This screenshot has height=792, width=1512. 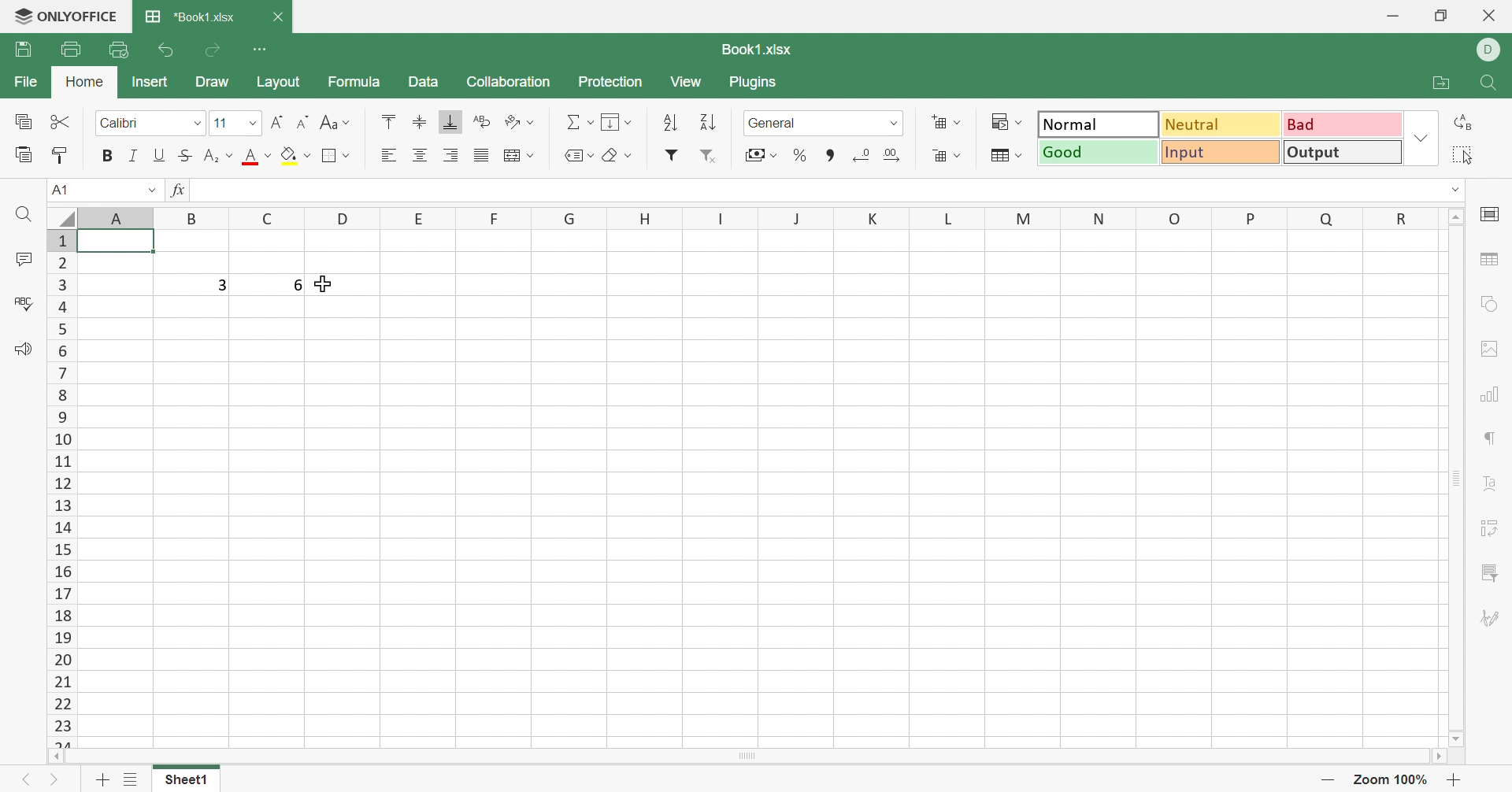 I want to click on Close, so click(x=277, y=17).